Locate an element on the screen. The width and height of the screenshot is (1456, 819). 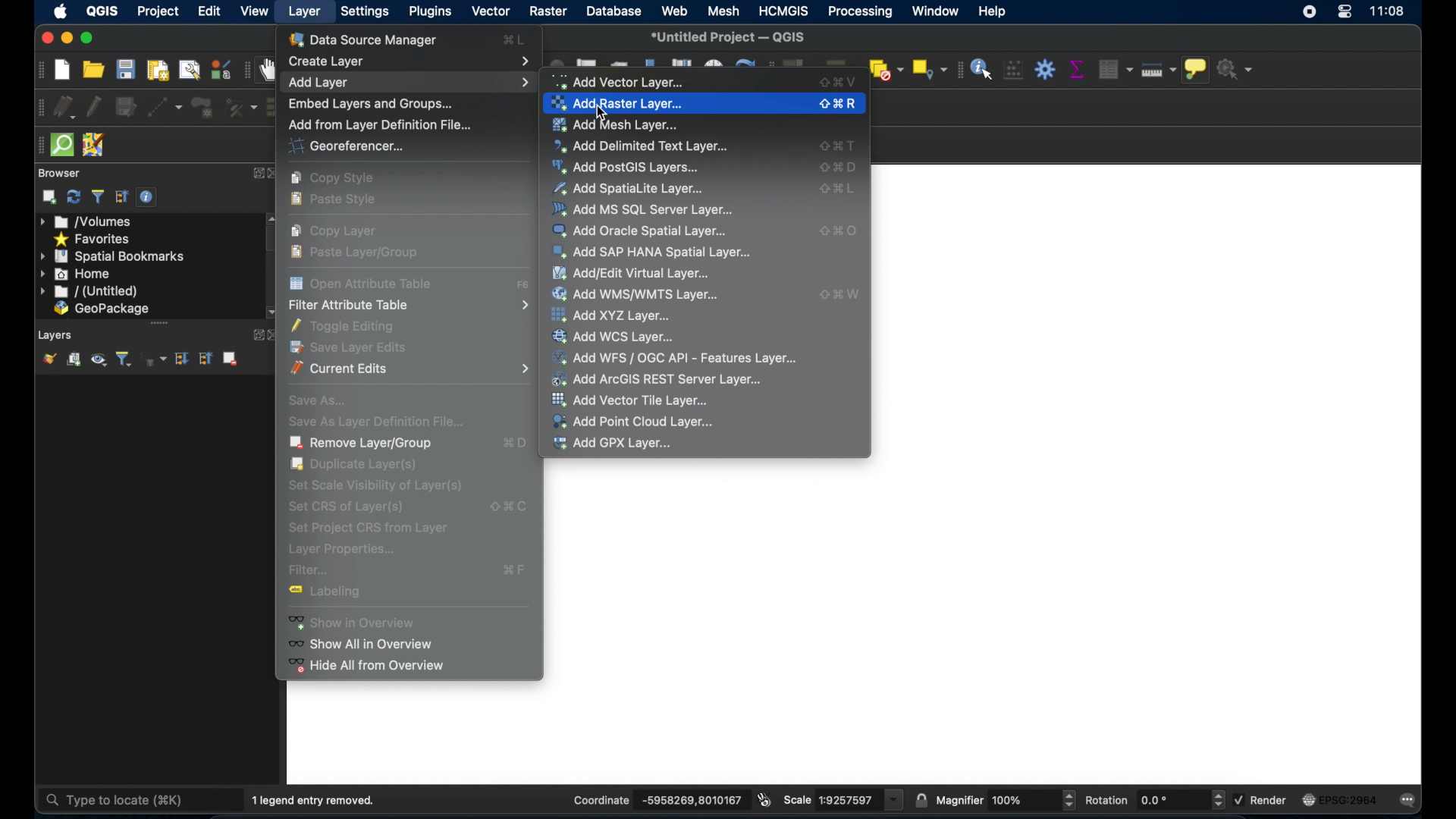
set project csr from layer is located at coordinates (366, 527).